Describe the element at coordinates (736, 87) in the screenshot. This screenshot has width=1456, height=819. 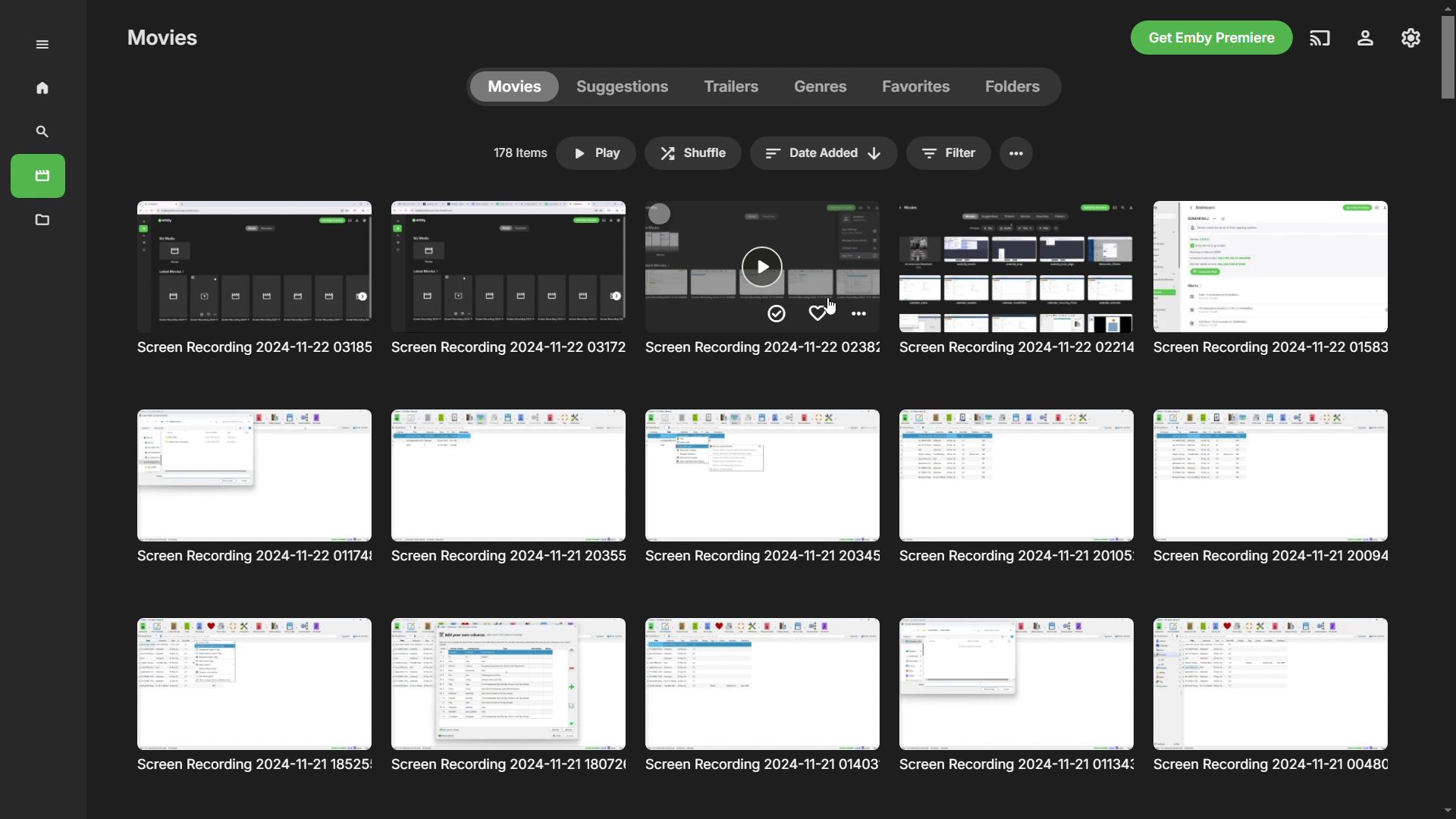
I see `trailers` at that location.